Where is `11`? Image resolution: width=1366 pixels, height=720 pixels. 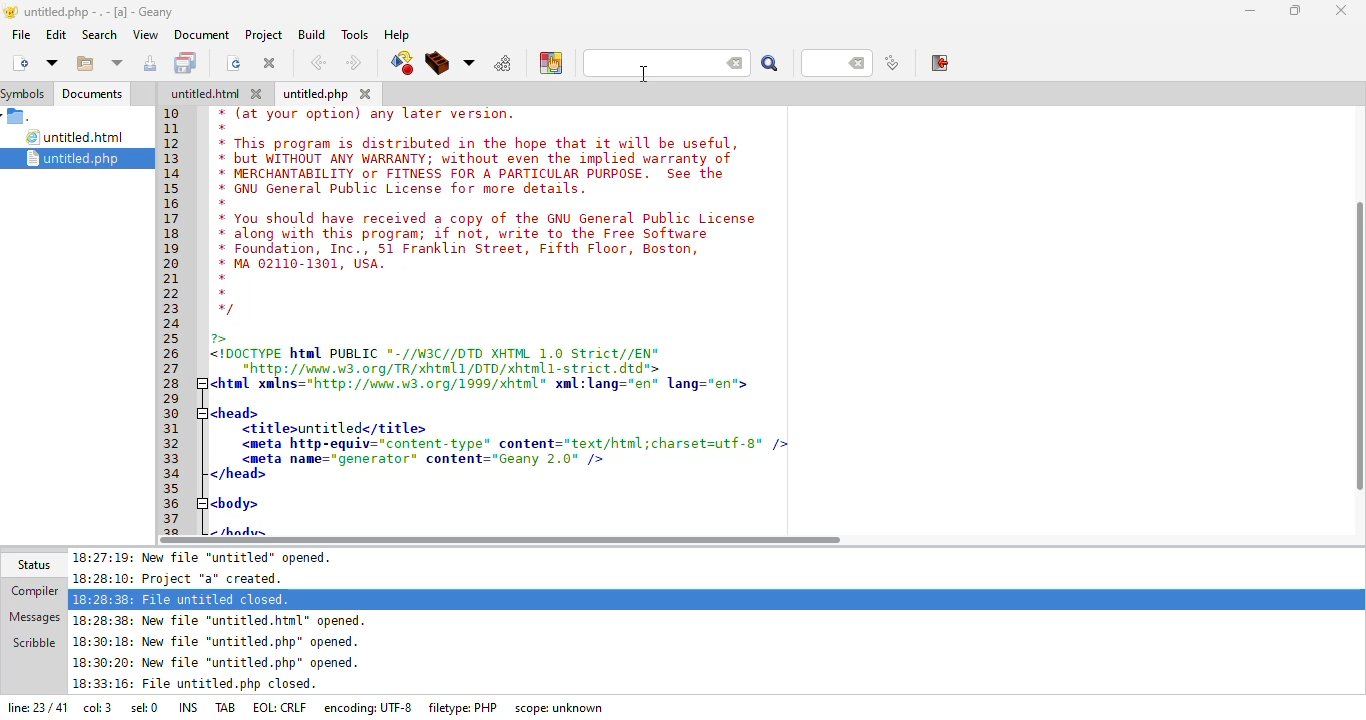 11 is located at coordinates (173, 131).